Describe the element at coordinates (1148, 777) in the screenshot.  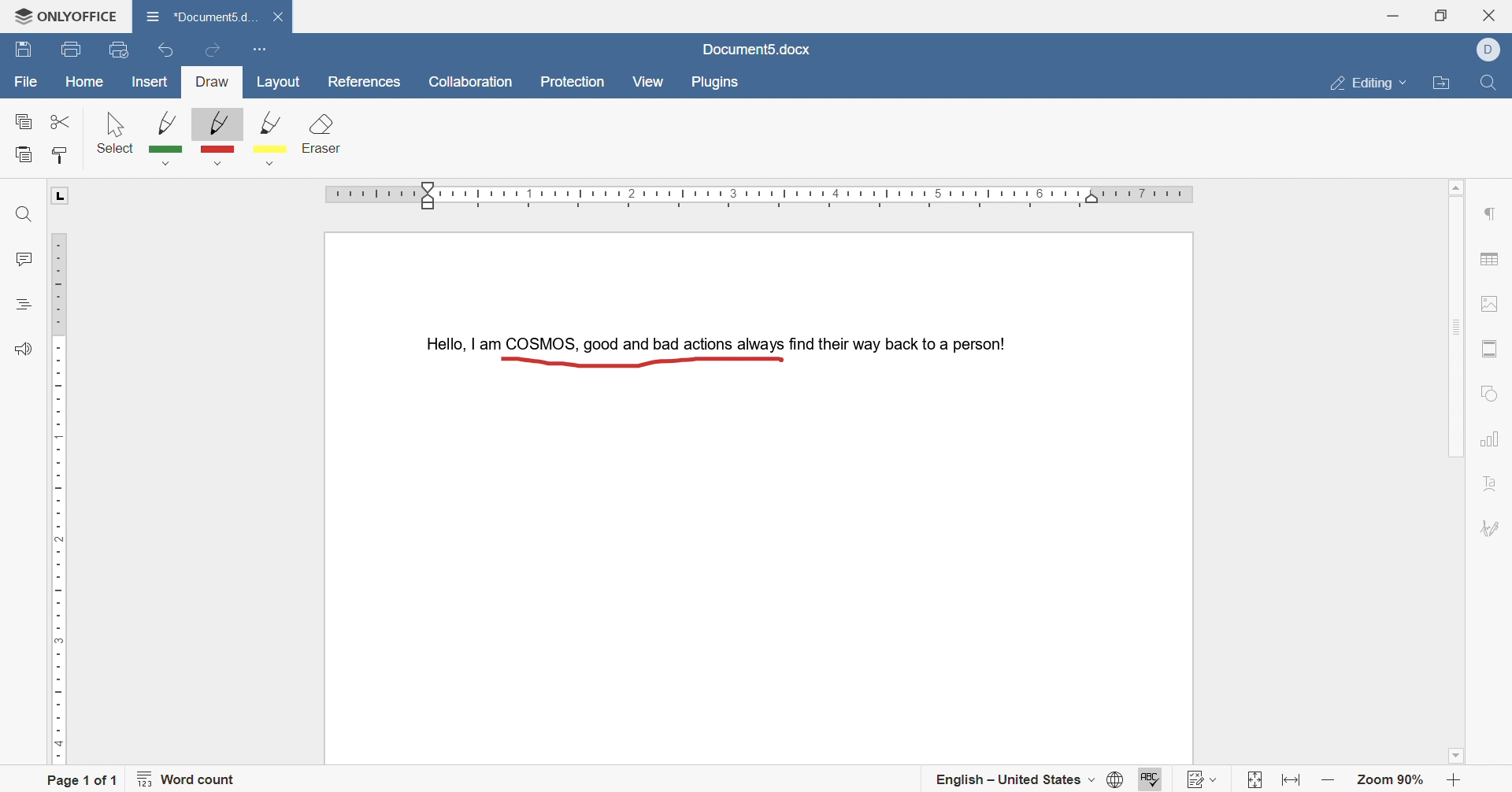
I see `spell checking` at that location.